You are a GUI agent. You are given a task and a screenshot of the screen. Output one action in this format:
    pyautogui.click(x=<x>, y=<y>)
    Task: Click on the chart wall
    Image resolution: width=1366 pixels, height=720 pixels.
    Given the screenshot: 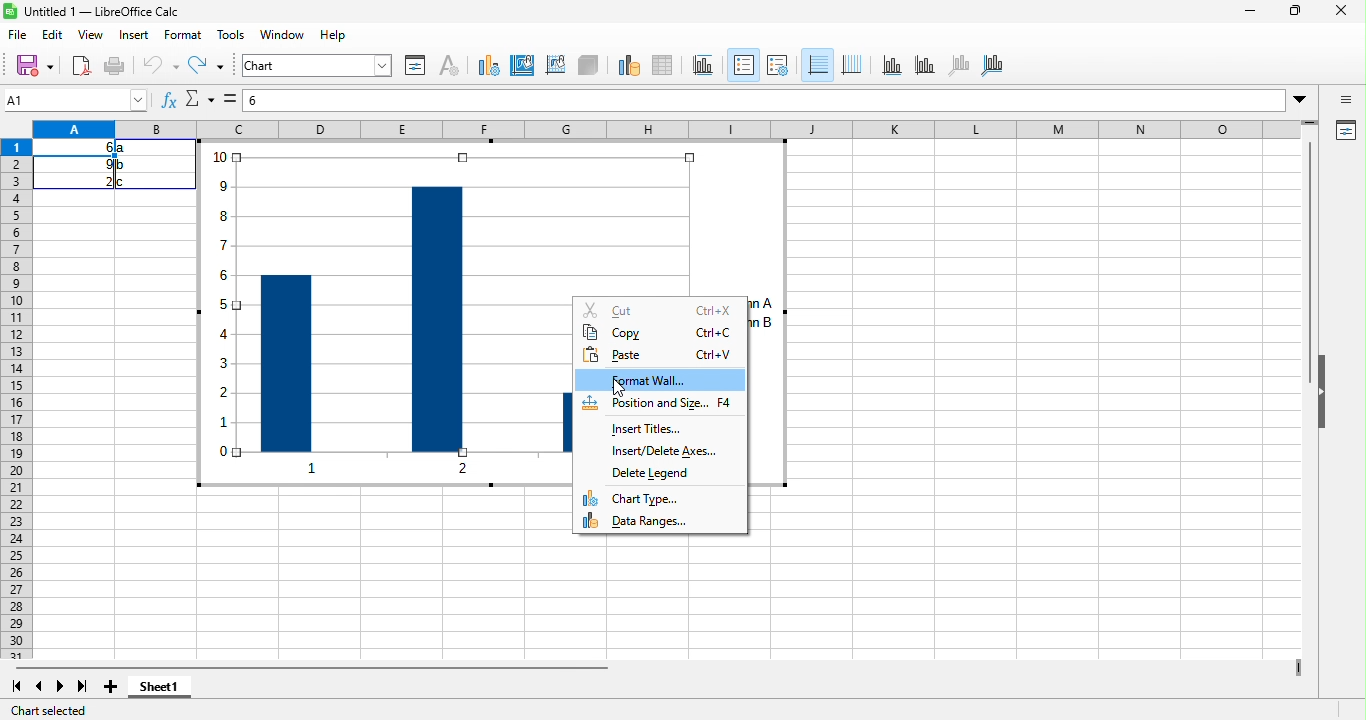 What is the action you would take?
    pyautogui.click(x=556, y=66)
    